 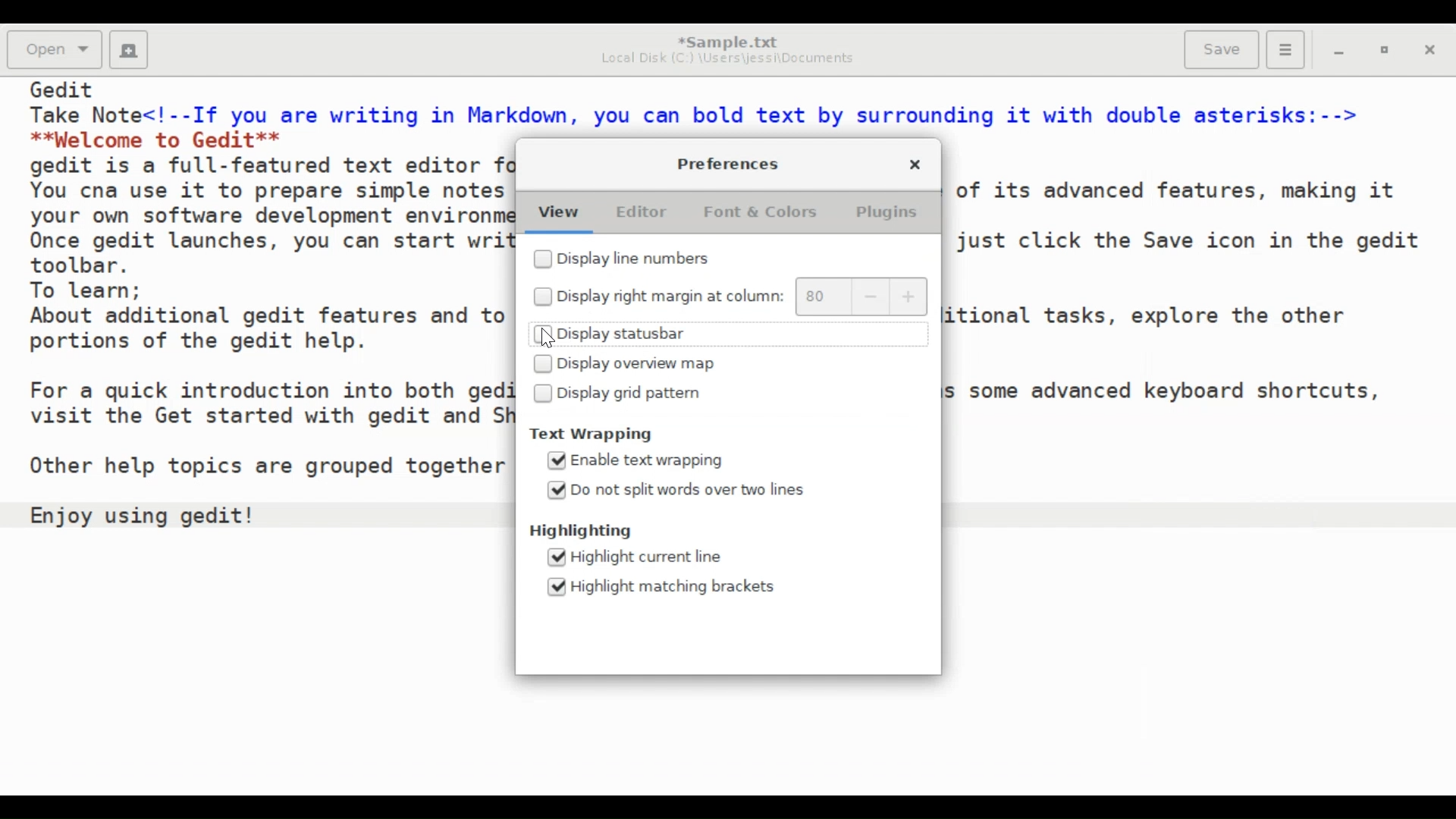 What do you see at coordinates (729, 40) in the screenshot?
I see `*Sample.txt` at bounding box center [729, 40].